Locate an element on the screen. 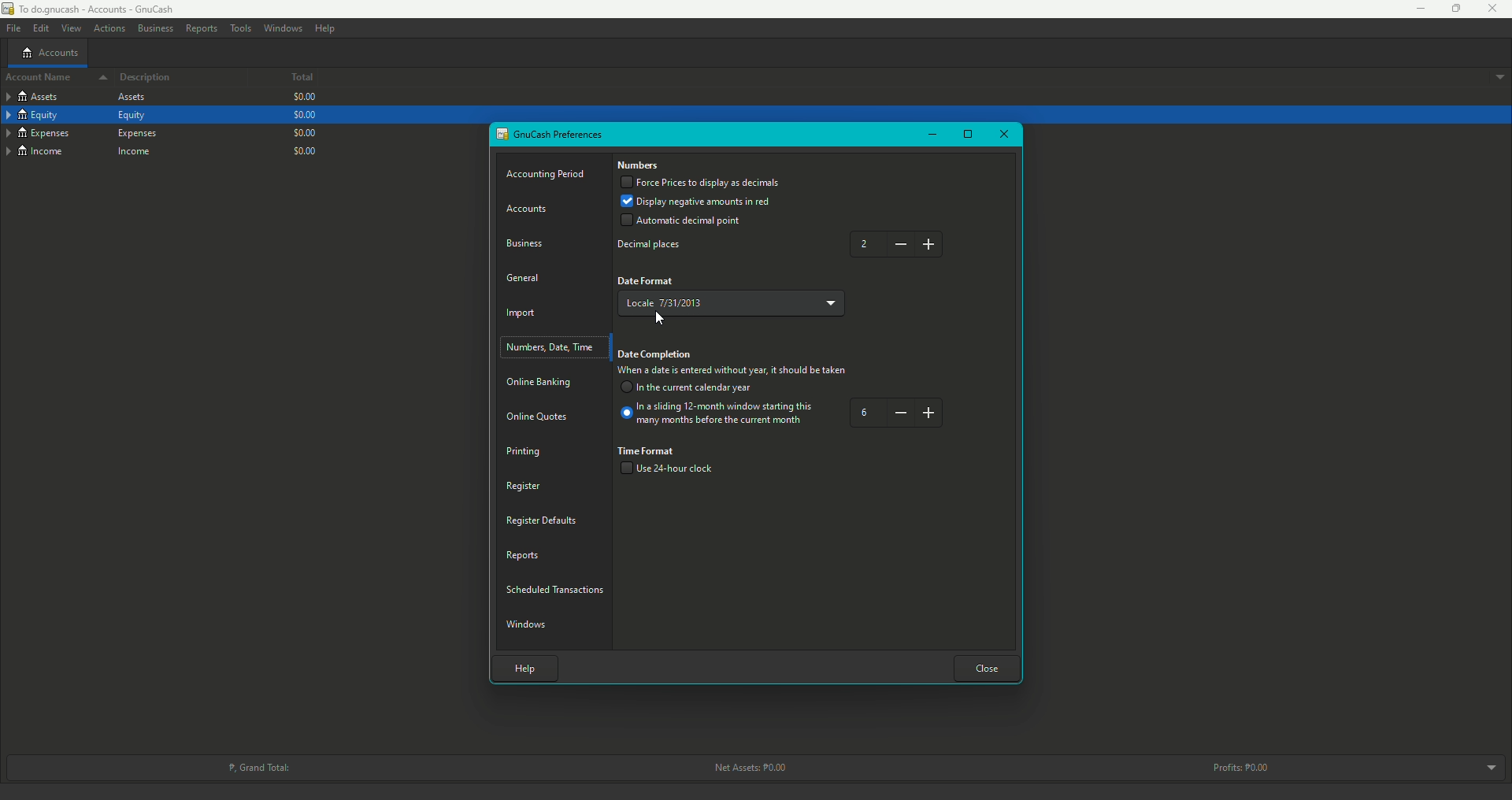  Cursor is located at coordinates (661, 320).